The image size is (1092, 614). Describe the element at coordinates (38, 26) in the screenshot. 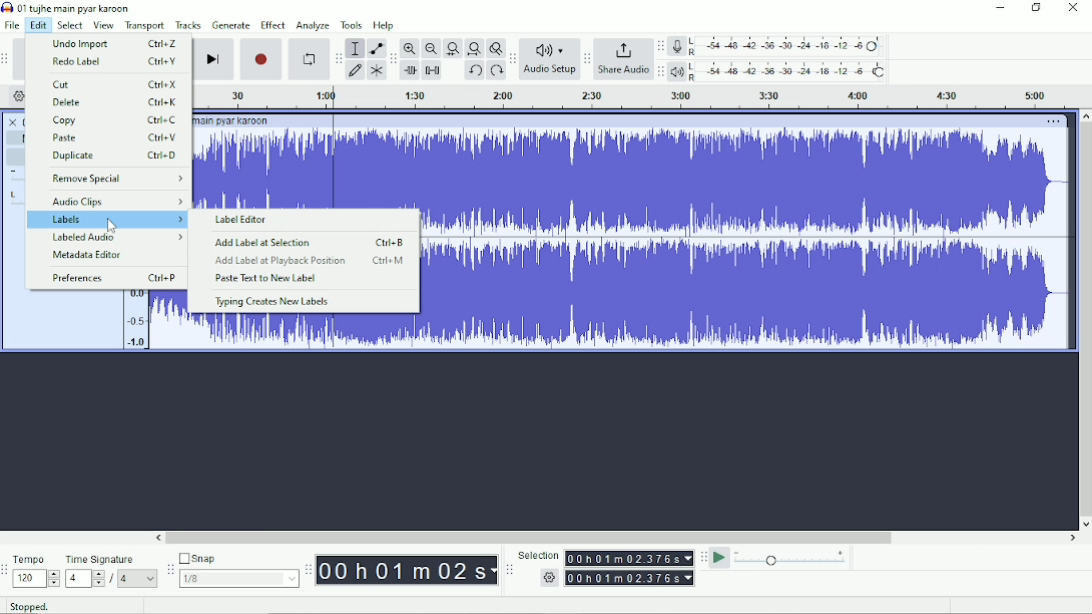

I see `Edit` at that location.